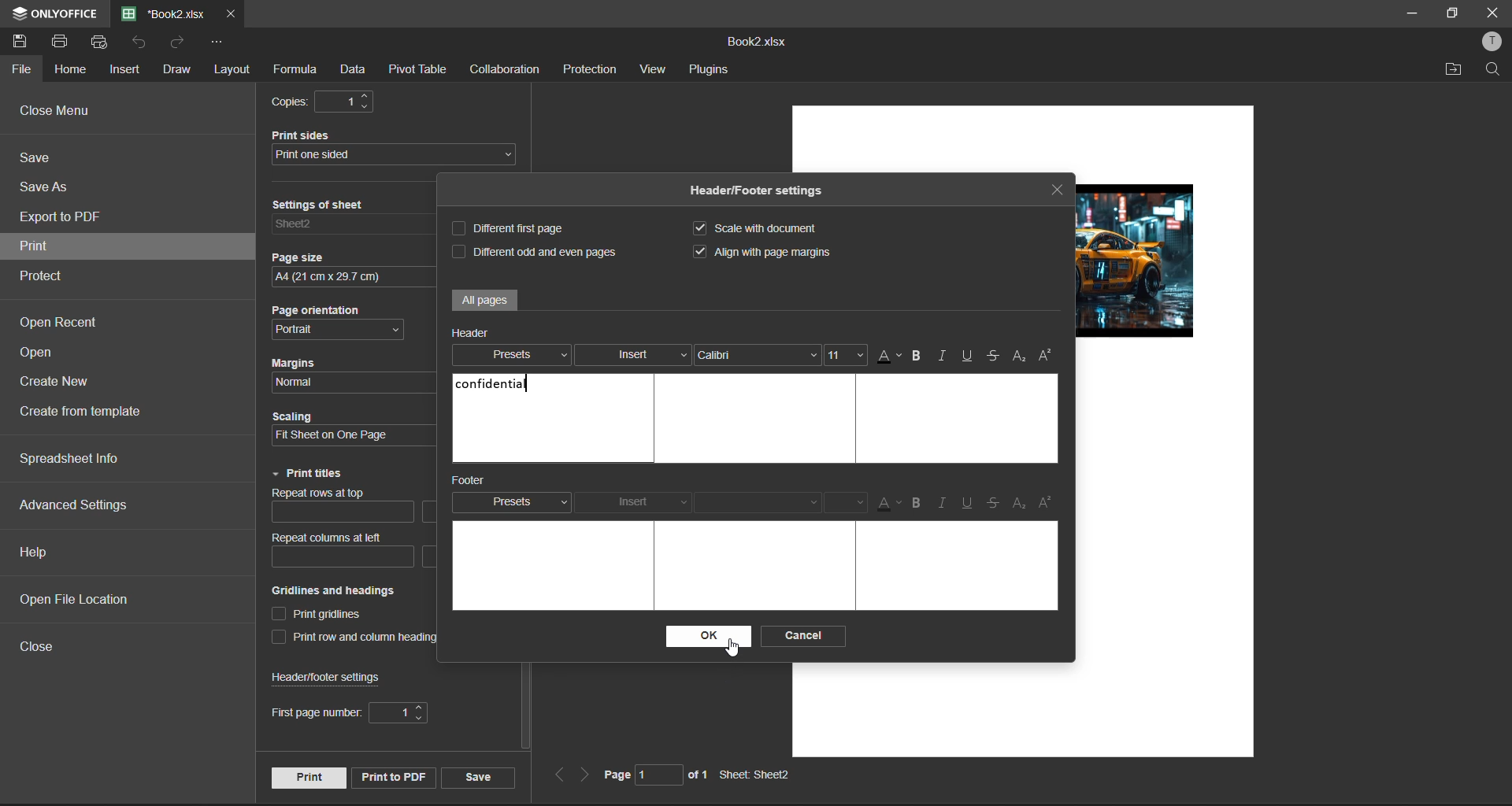 Image resolution: width=1512 pixels, height=806 pixels. What do you see at coordinates (350, 591) in the screenshot?
I see `gridlines and headings` at bounding box center [350, 591].